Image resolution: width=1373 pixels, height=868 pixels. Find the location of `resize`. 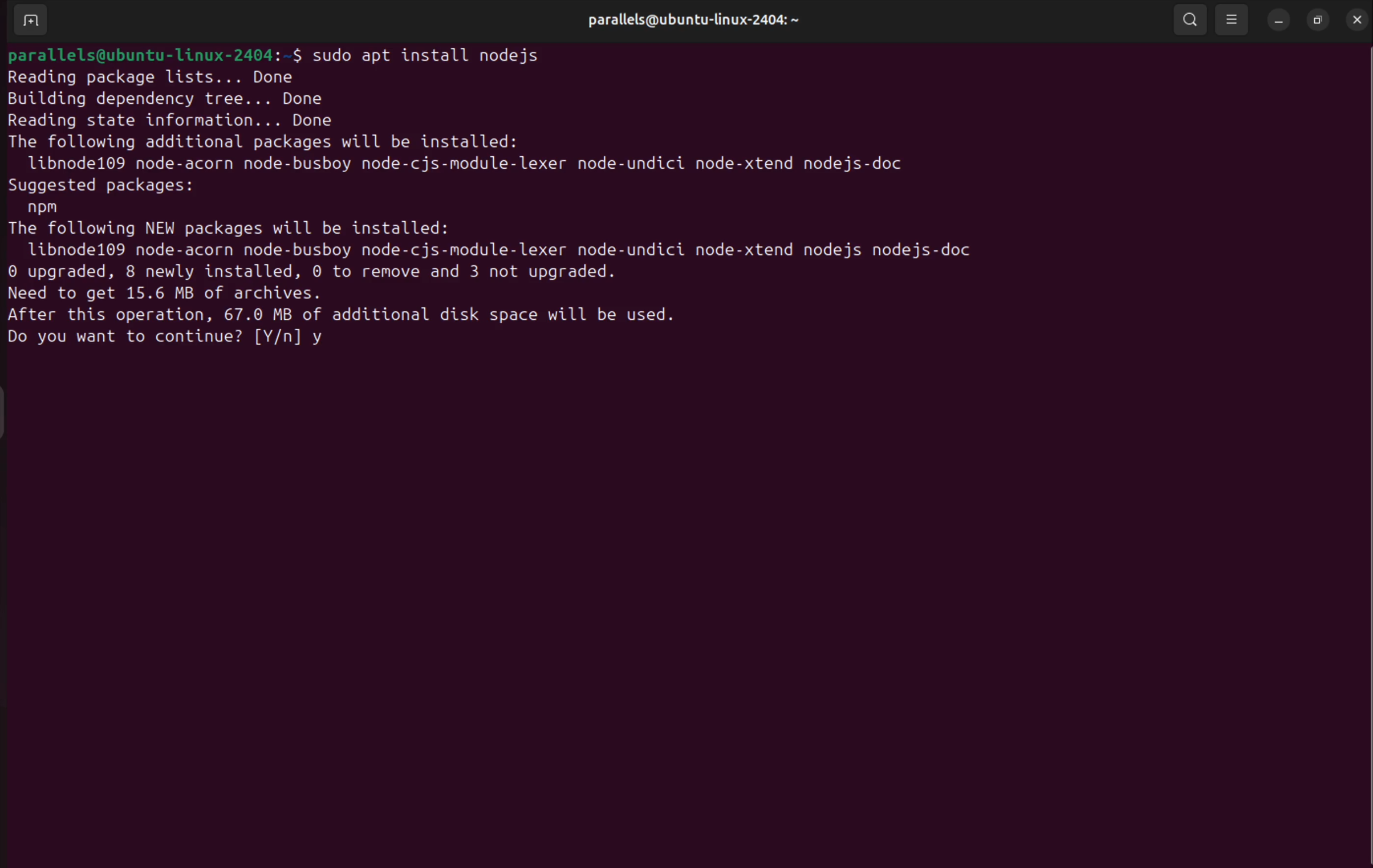

resize is located at coordinates (1317, 20).